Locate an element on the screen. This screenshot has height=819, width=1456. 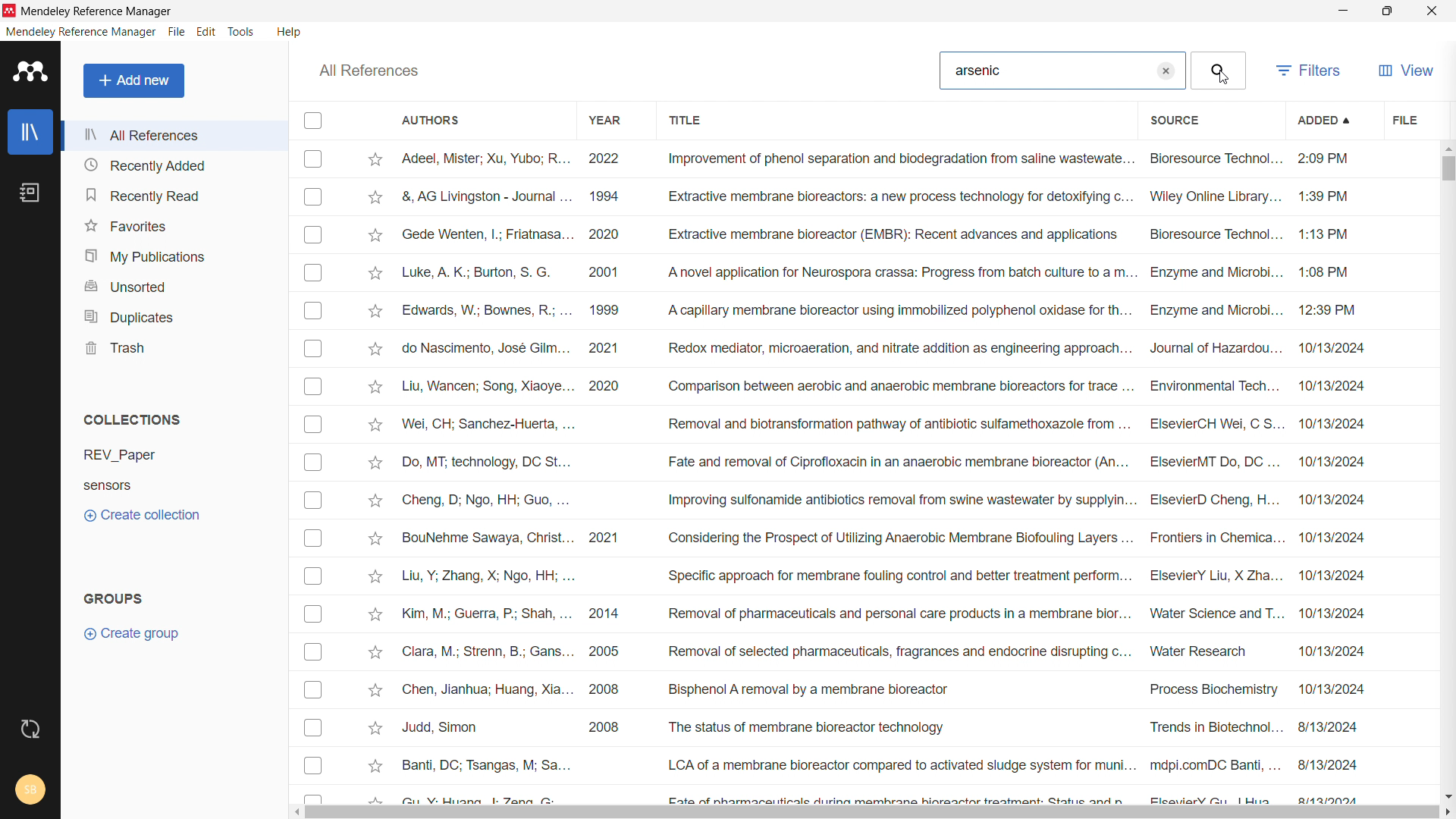
edit is located at coordinates (207, 31).